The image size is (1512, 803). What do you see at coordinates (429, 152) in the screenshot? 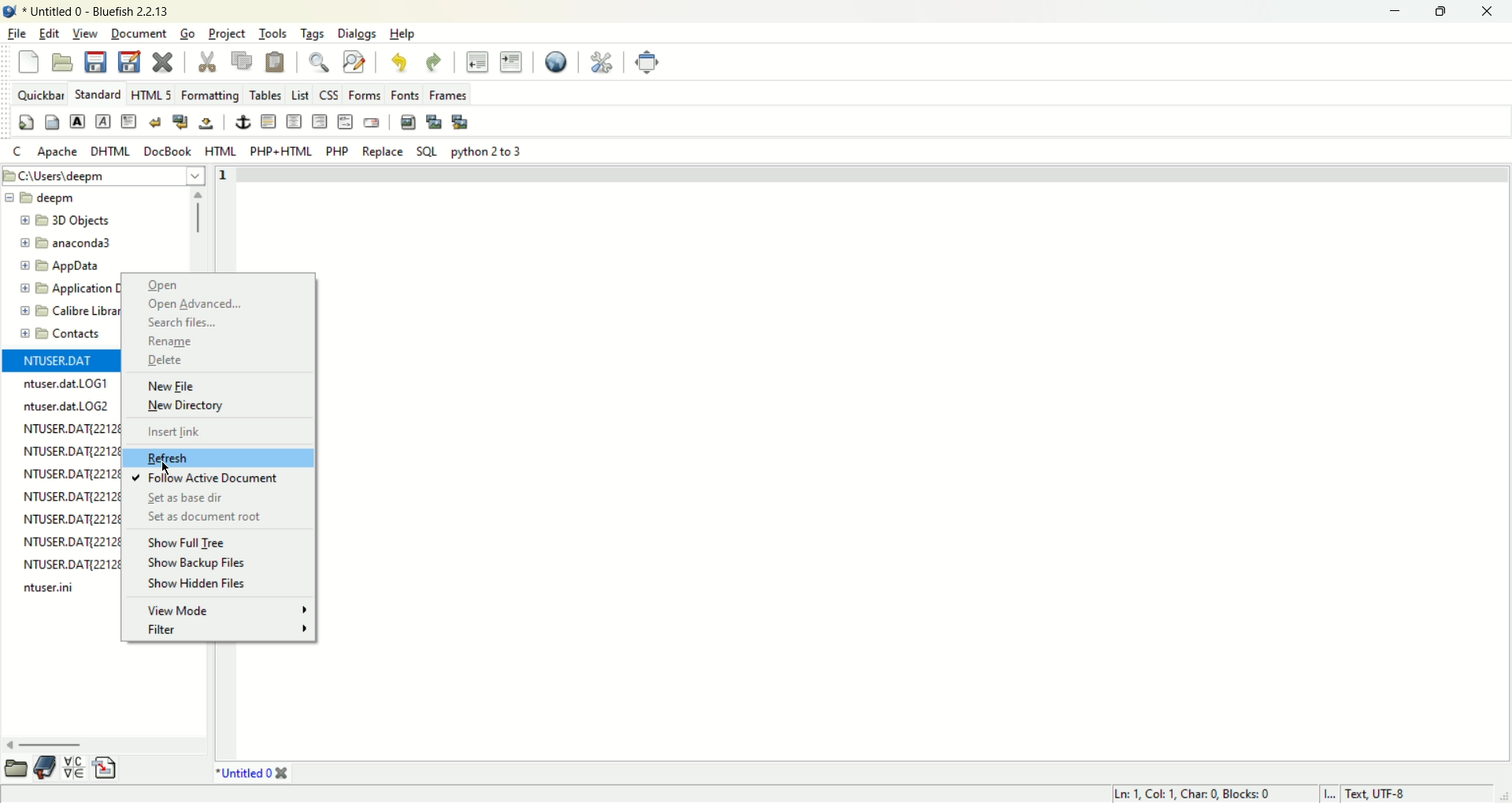
I see `SQL` at bounding box center [429, 152].